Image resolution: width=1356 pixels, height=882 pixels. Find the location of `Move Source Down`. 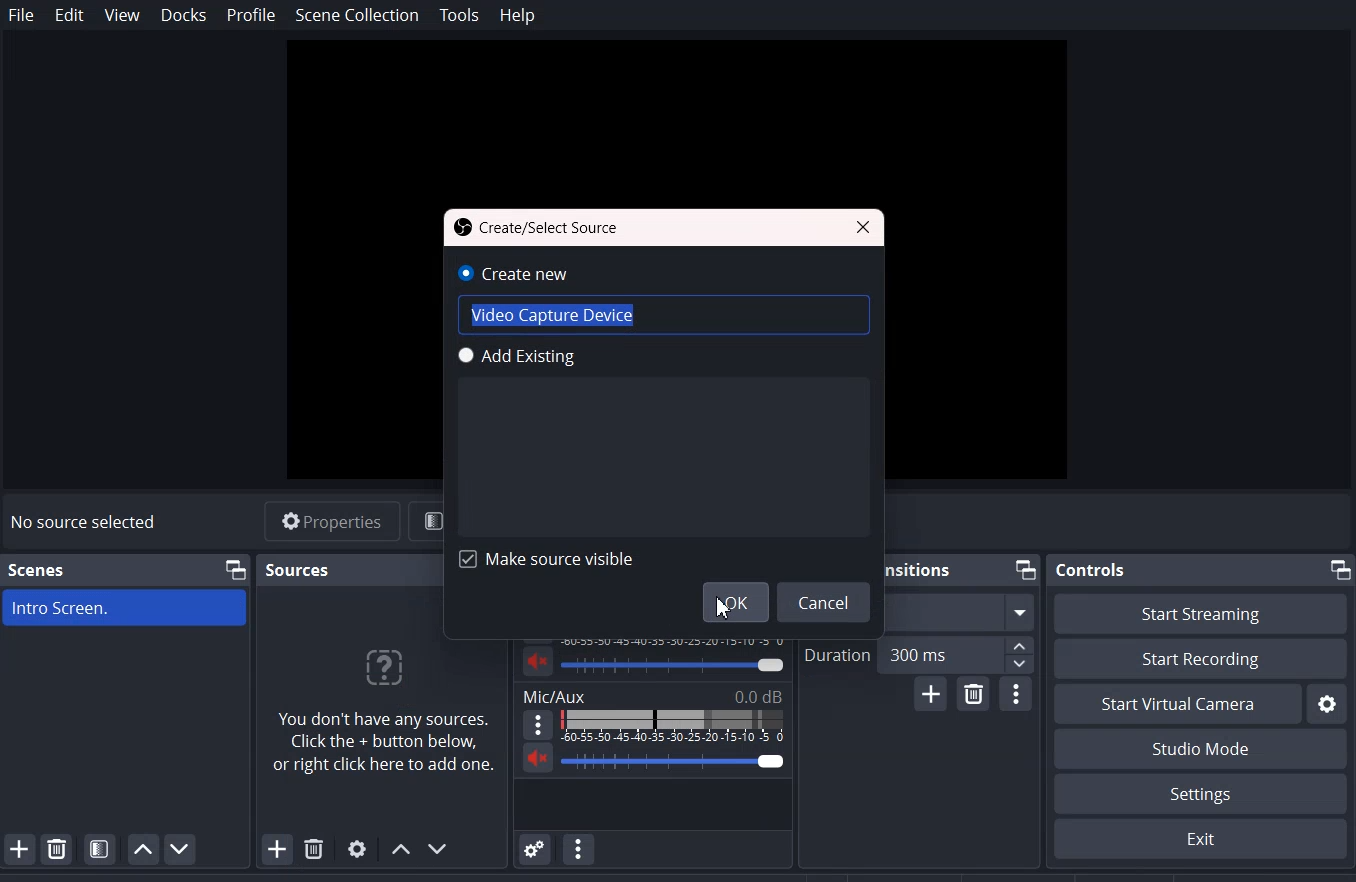

Move Source Down is located at coordinates (440, 848).